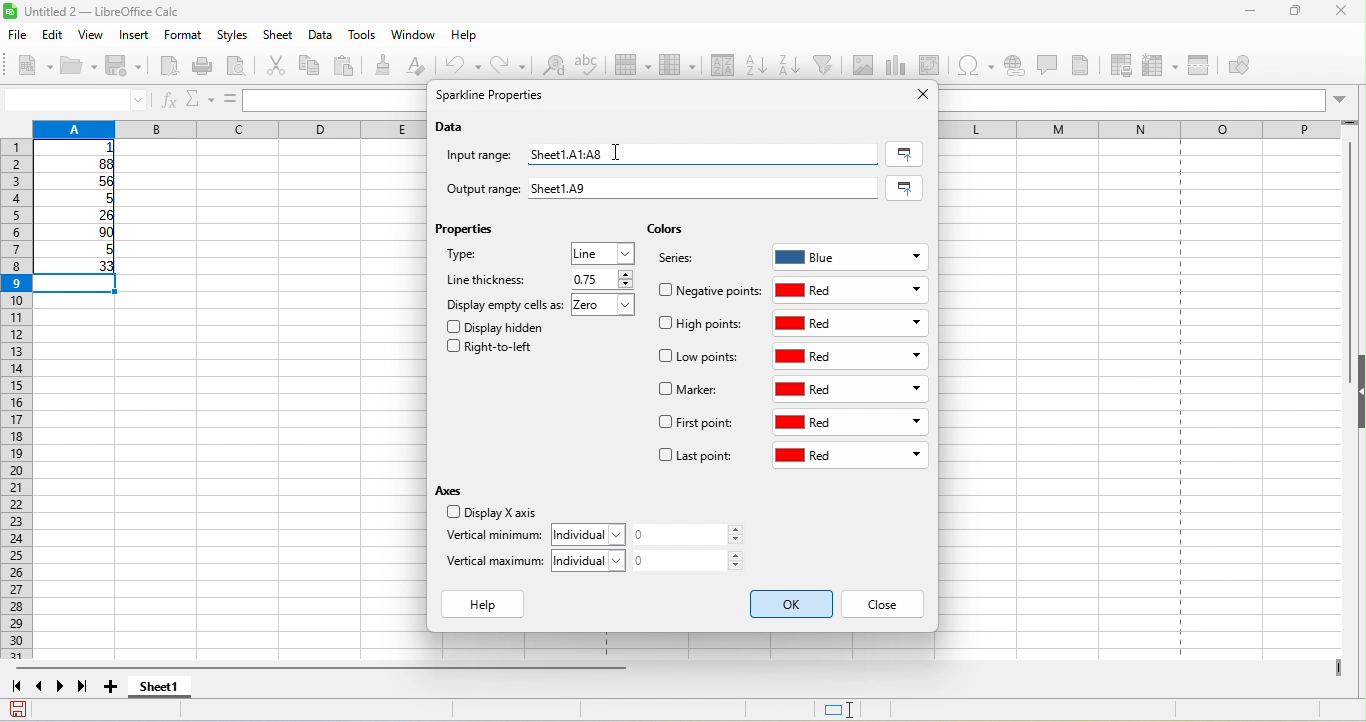  I want to click on 0, so click(694, 535).